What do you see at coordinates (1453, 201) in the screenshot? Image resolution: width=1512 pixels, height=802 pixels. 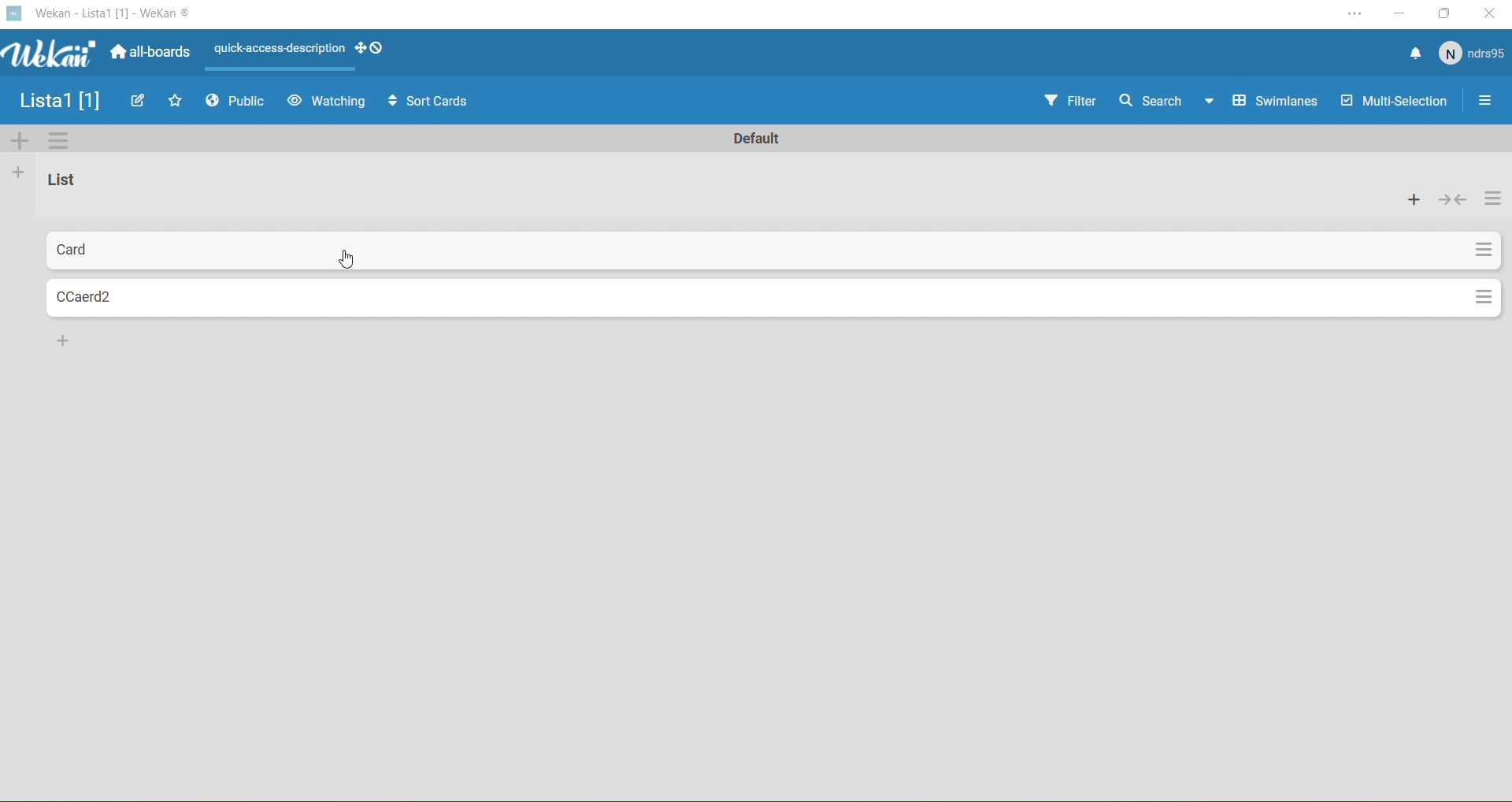 I see `collapse` at bounding box center [1453, 201].